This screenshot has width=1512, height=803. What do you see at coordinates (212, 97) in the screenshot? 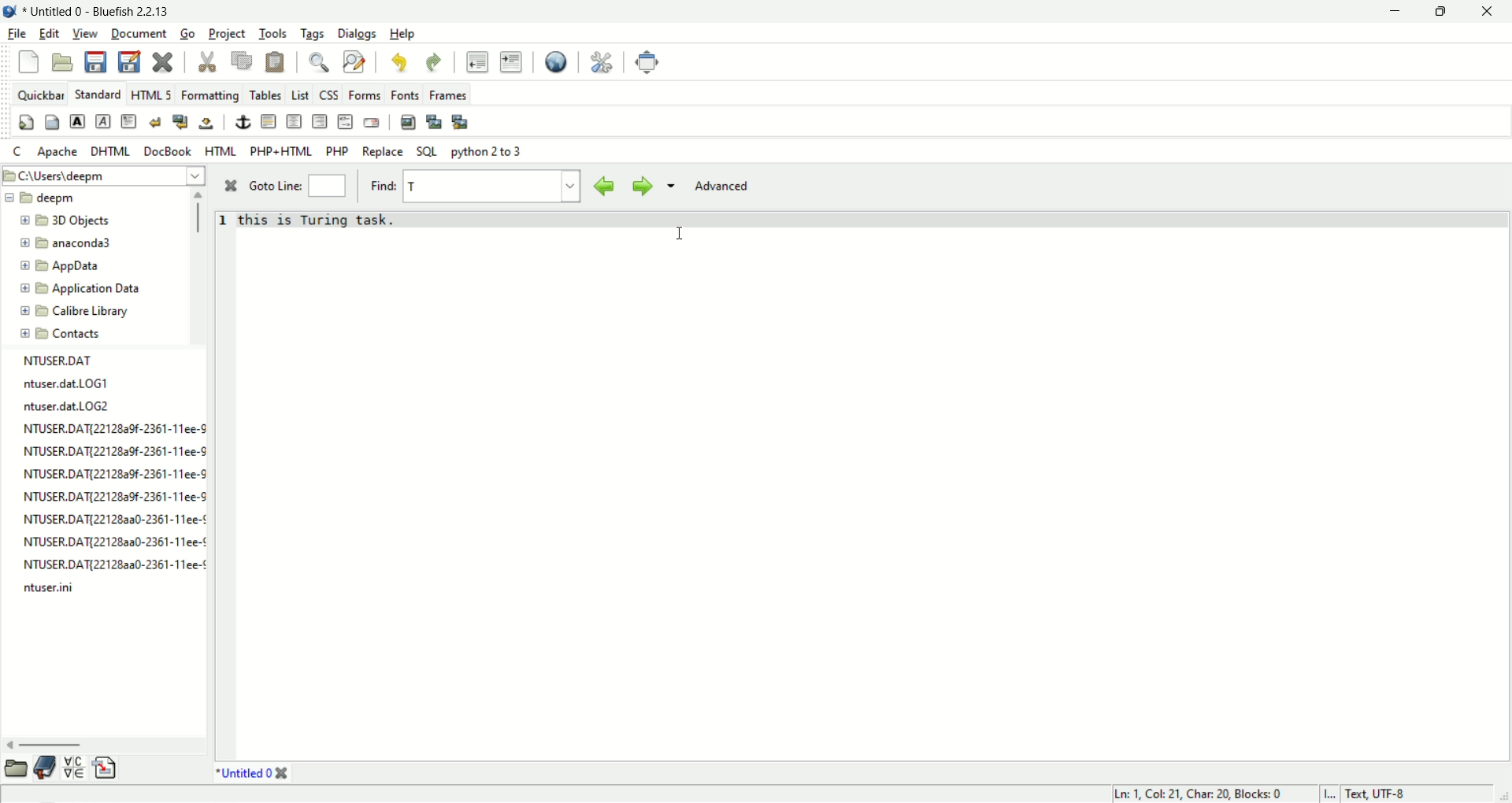
I see `formatting` at bounding box center [212, 97].